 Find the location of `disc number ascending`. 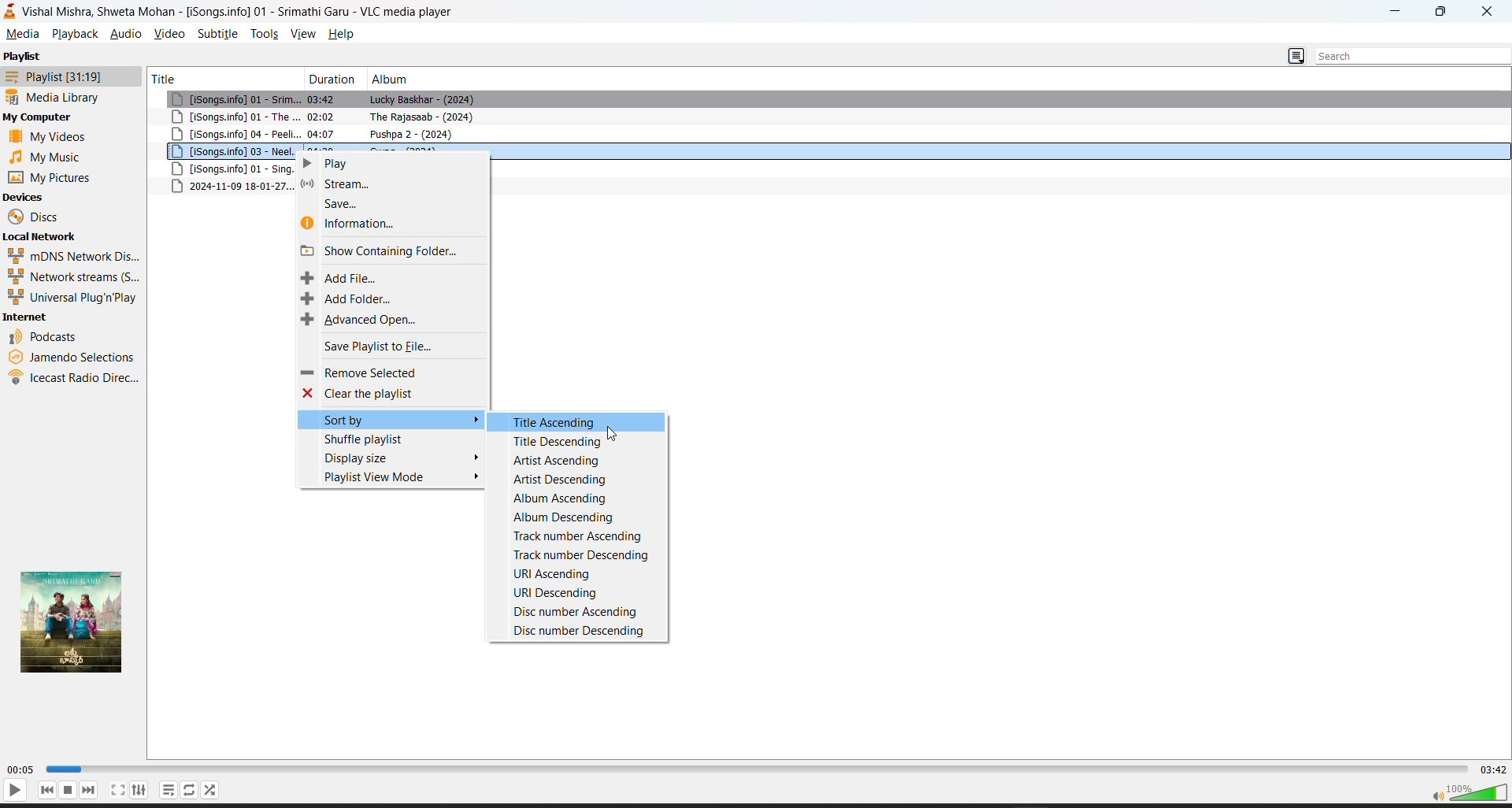

disc number ascending is located at coordinates (570, 610).